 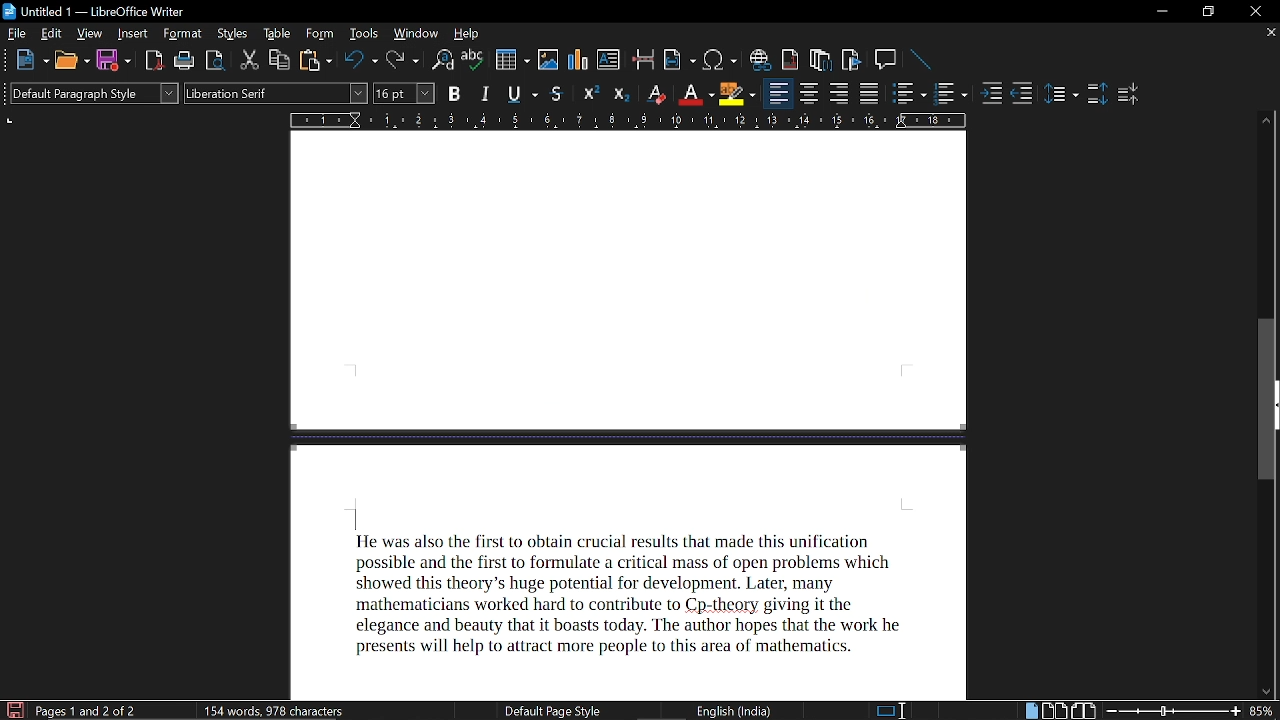 I want to click on Superscript, so click(x=591, y=92).